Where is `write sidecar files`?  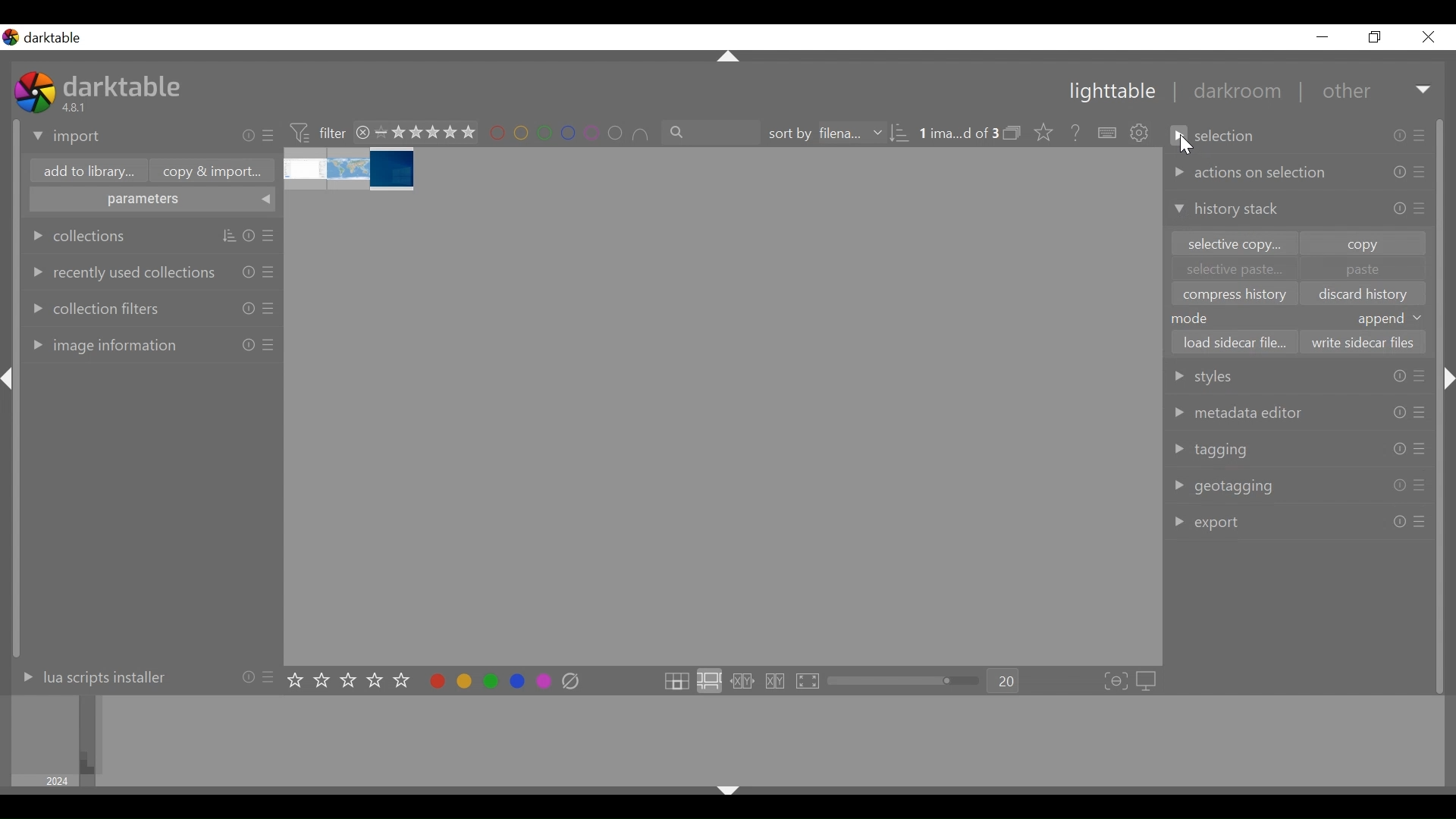 write sidecar files is located at coordinates (1359, 343).